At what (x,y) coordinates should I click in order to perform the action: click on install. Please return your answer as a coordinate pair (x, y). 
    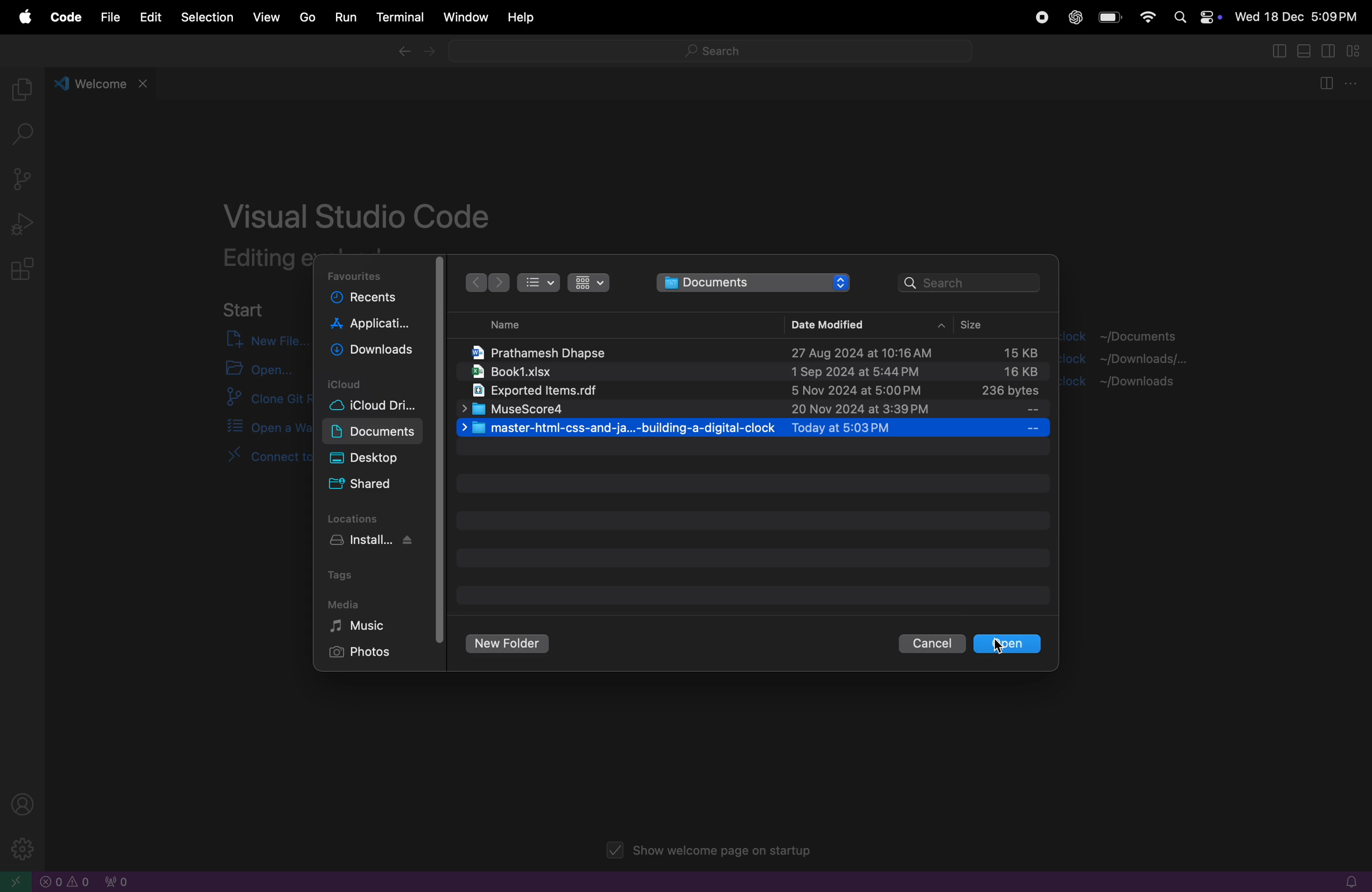
    Looking at the image, I should click on (380, 542).